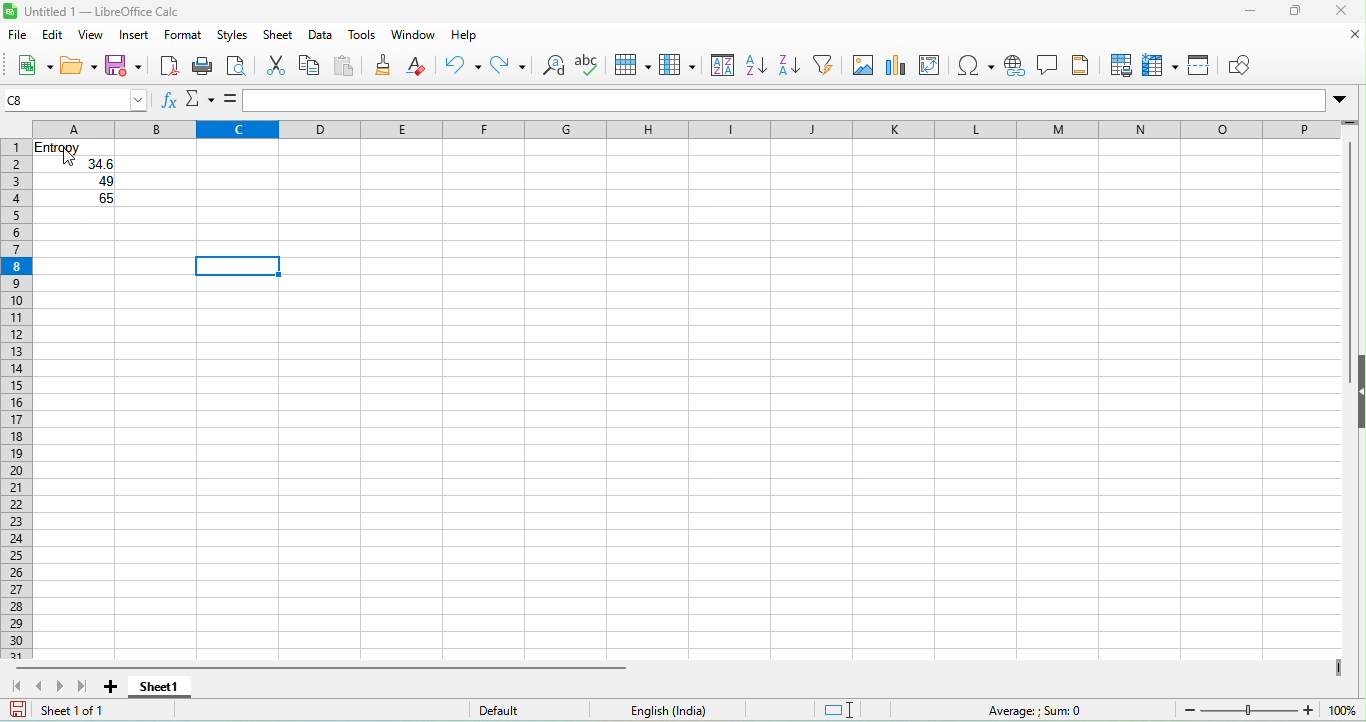 The height and width of the screenshot is (722, 1366). I want to click on clear direct formatting, so click(419, 69).